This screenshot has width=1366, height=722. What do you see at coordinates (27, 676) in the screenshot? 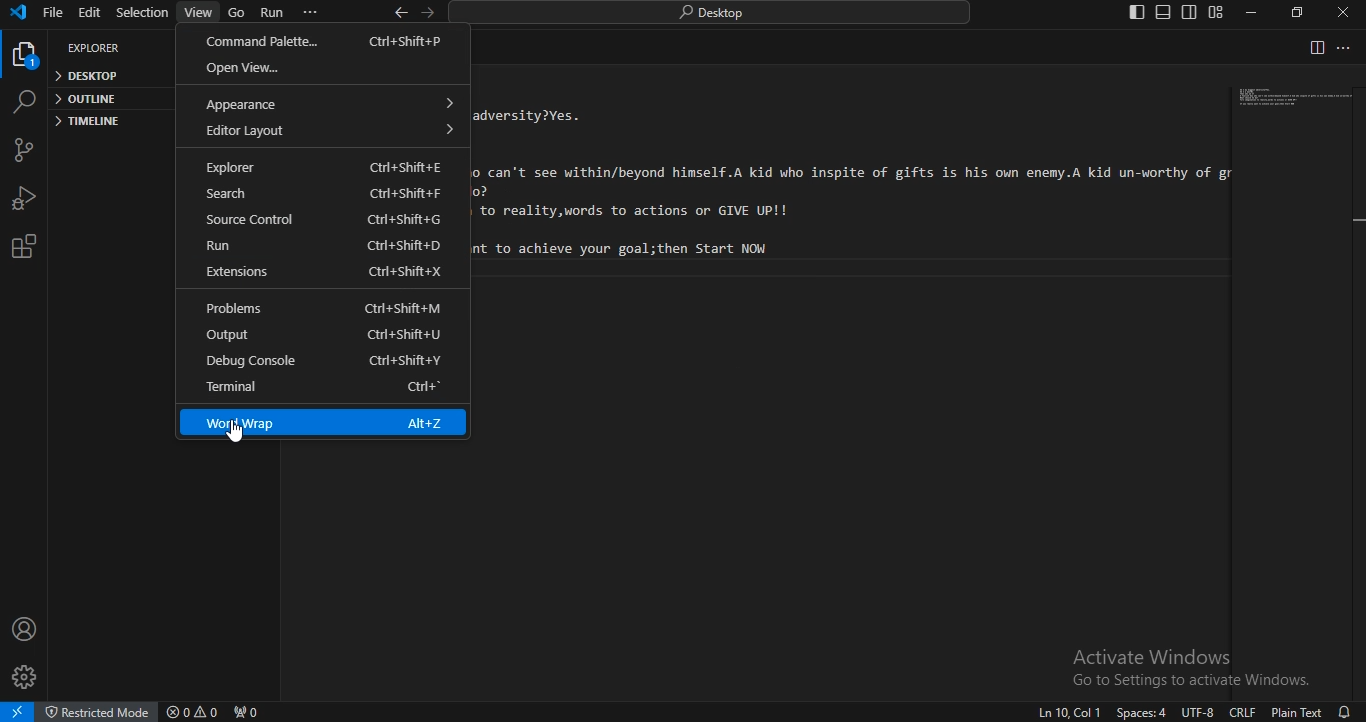
I see `manage` at bounding box center [27, 676].